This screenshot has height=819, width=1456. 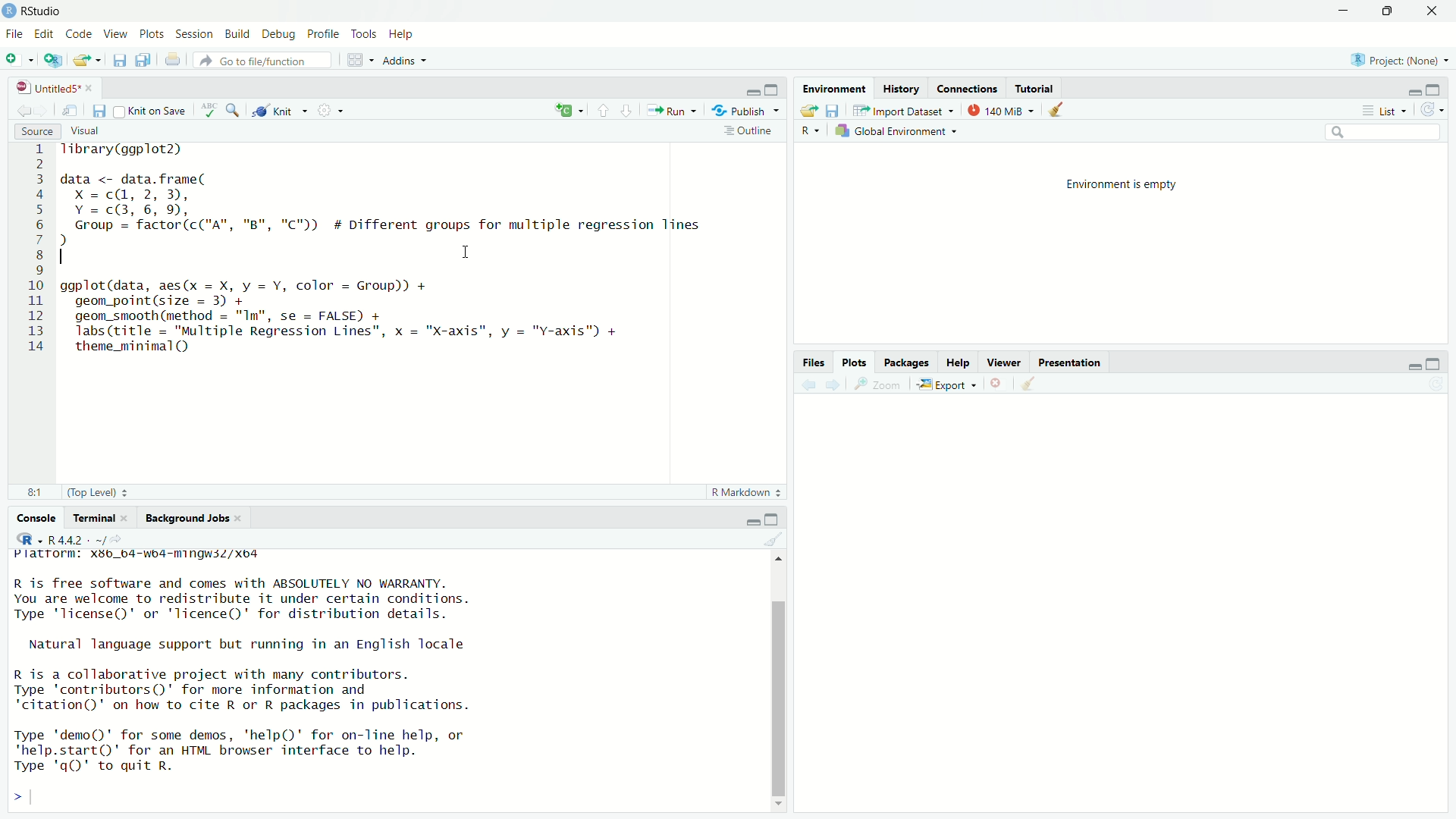 What do you see at coordinates (21, 59) in the screenshot?
I see `add file` at bounding box center [21, 59].